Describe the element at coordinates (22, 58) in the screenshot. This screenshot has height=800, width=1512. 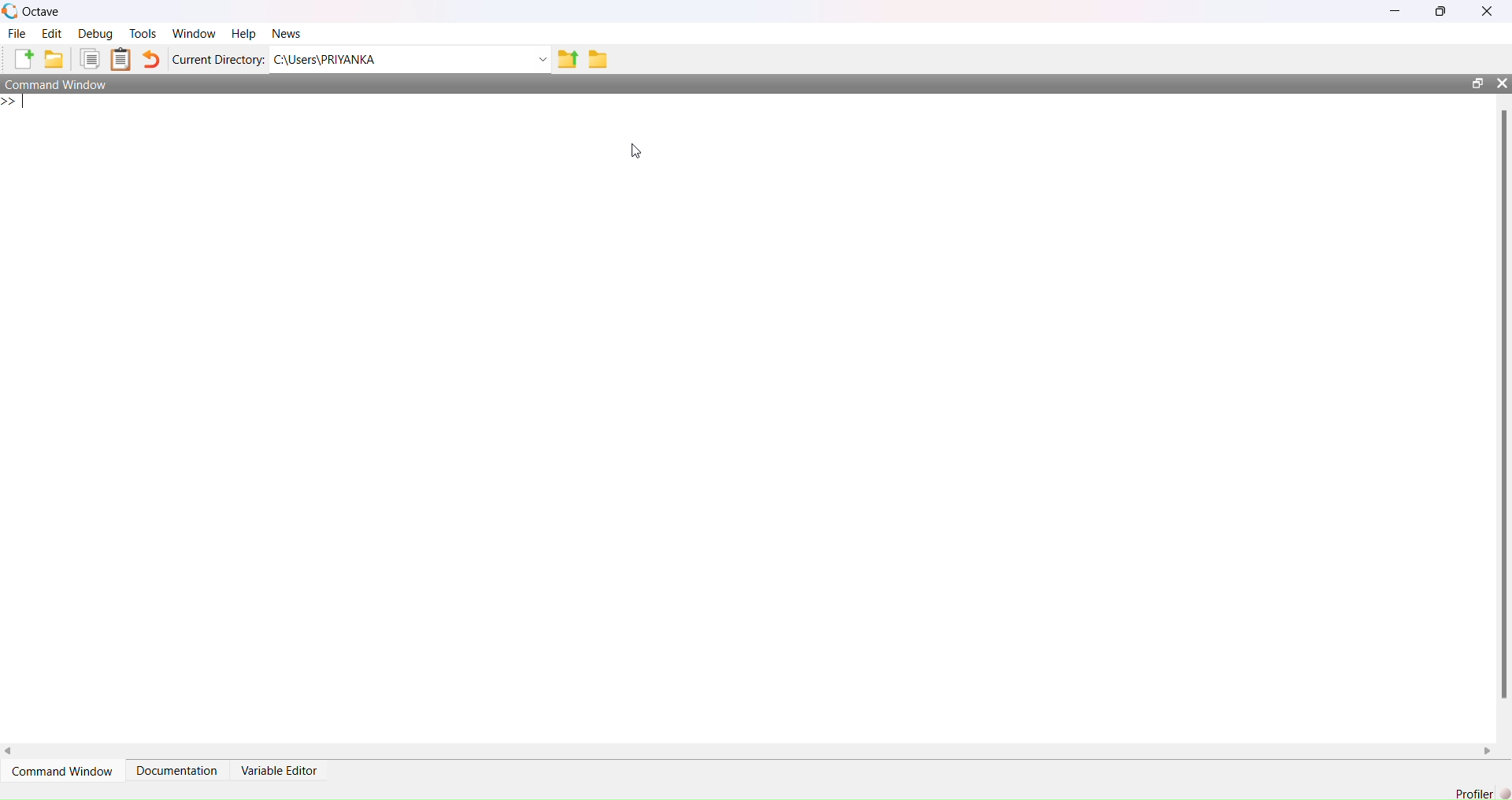
I see `New script` at that location.